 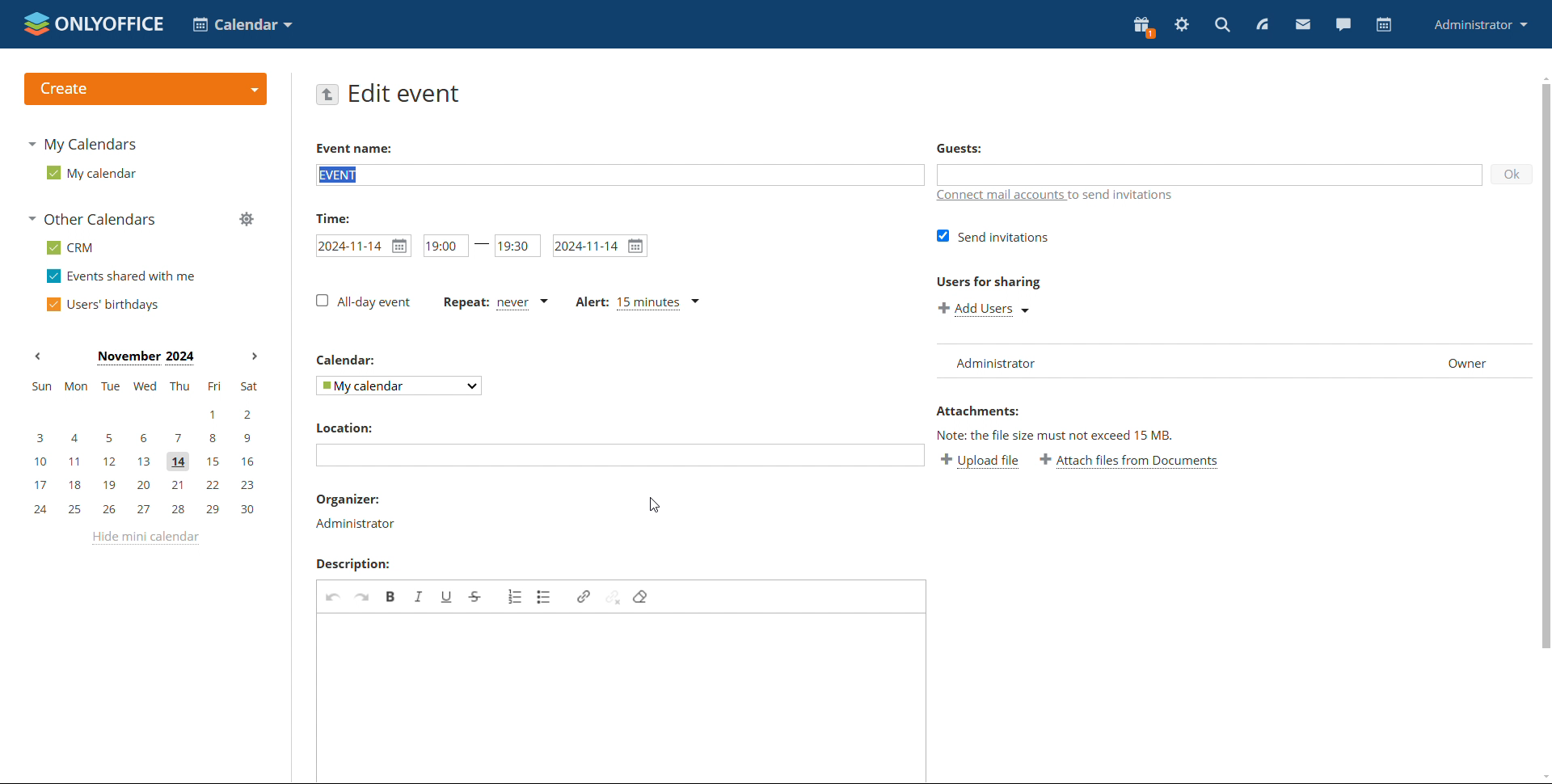 What do you see at coordinates (1261, 23) in the screenshot?
I see `feed` at bounding box center [1261, 23].